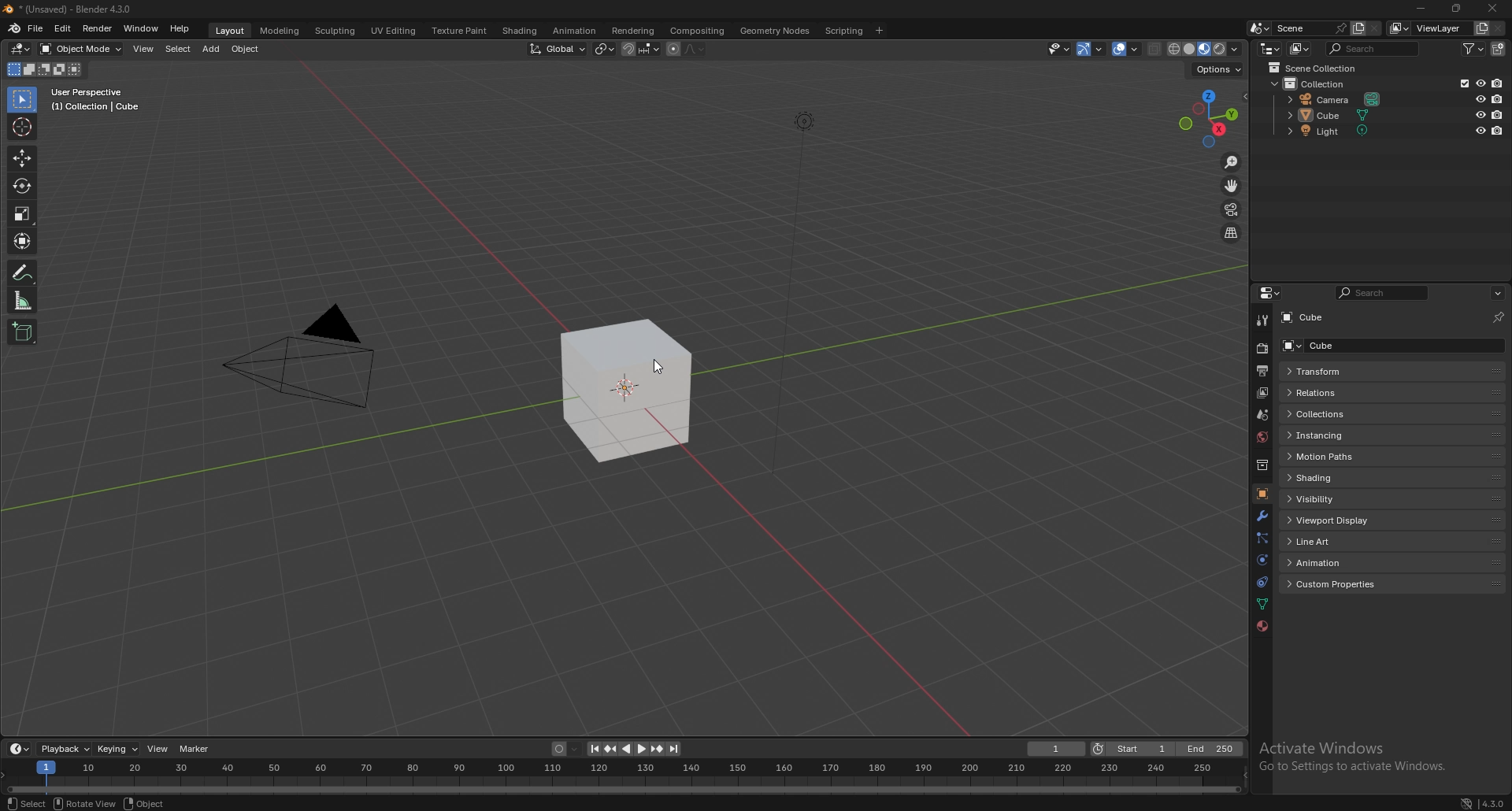 The width and height of the screenshot is (1512, 811). What do you see at coordinates (1091, 50) in the screenshot?
I see `gizmo` at bounding box center [1091, 50].